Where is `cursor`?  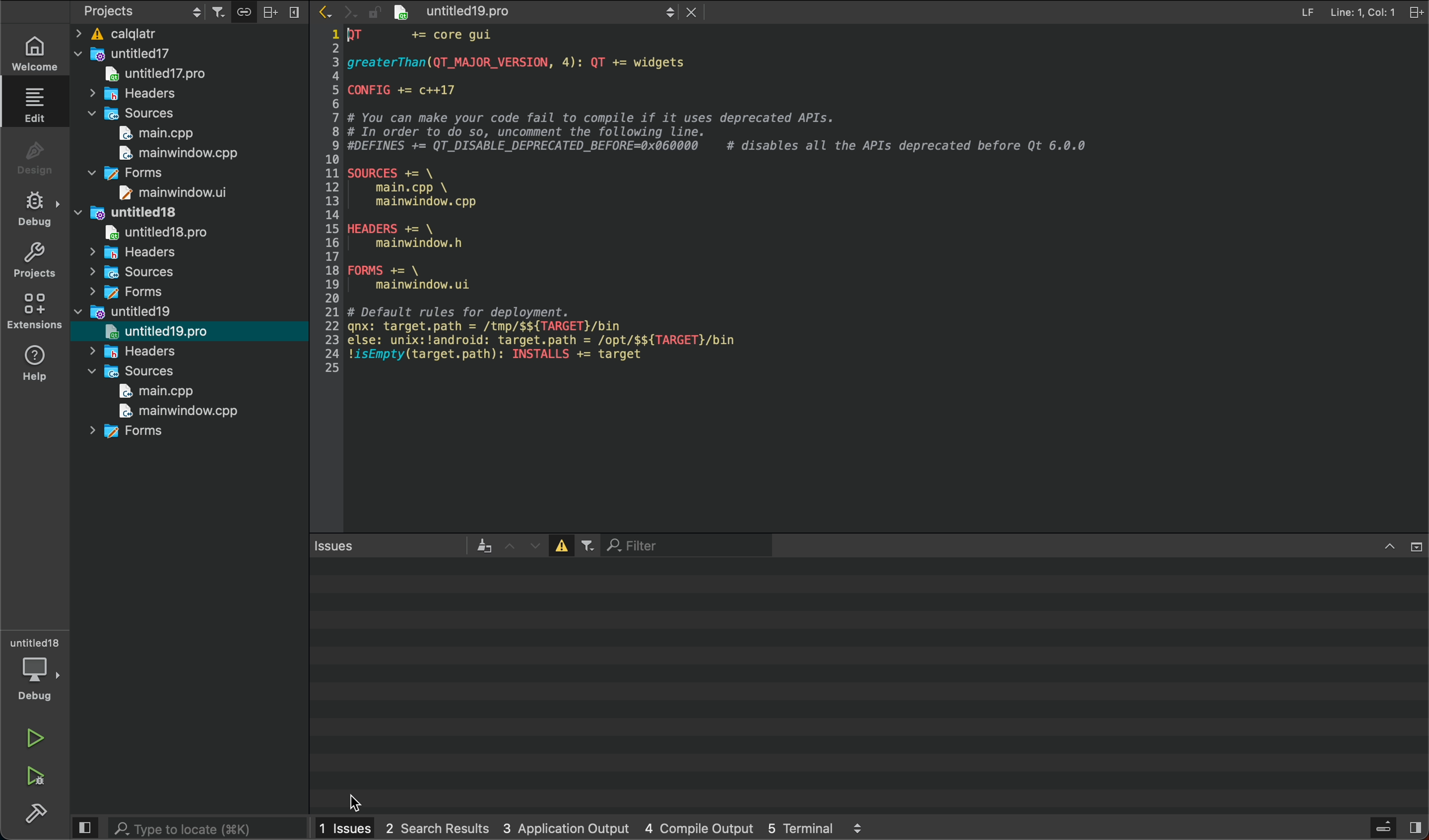
cursor is located at coordinates (356, 805).